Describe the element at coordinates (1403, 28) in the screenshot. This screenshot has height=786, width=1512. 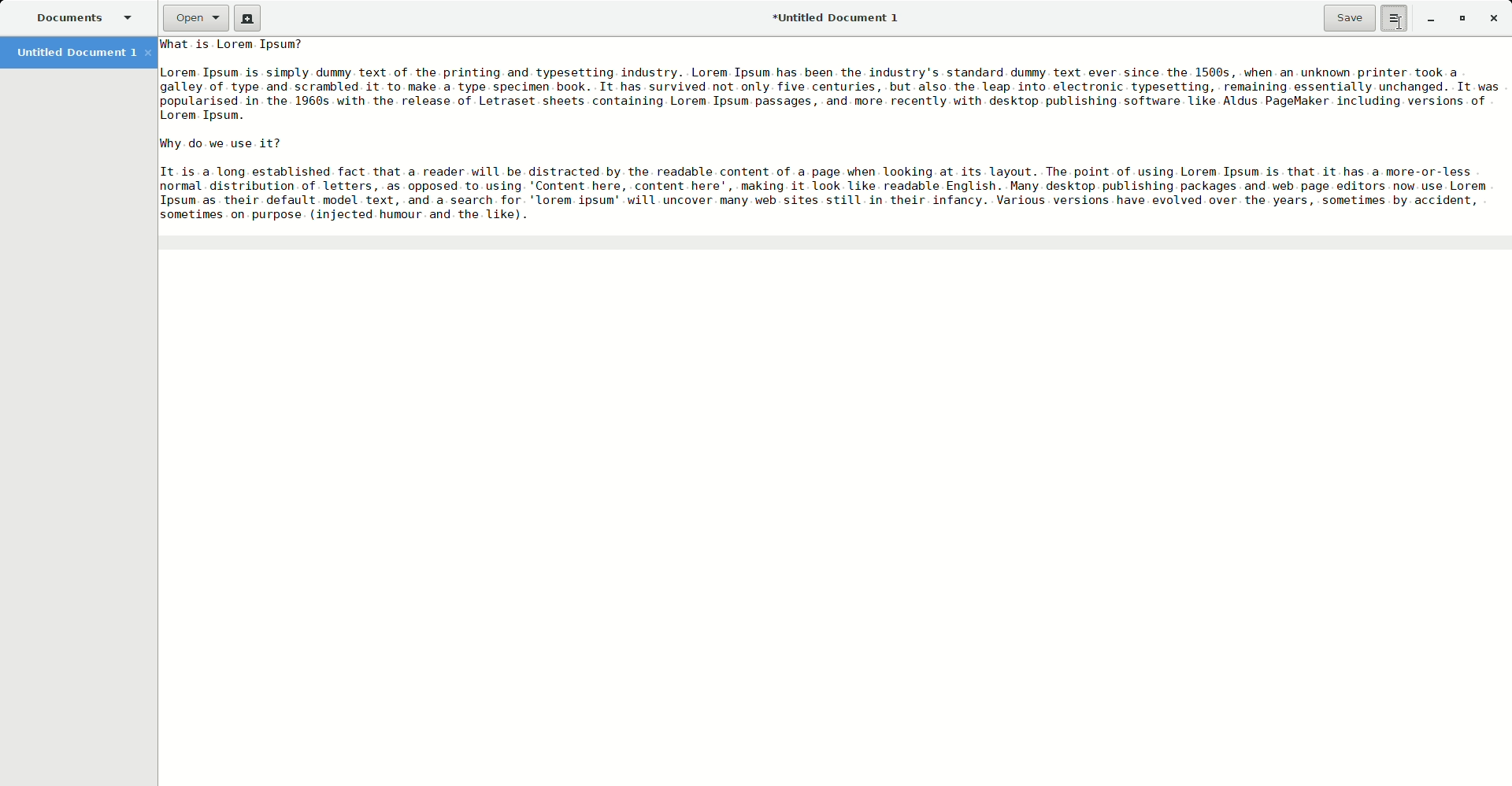
I see `cursor` at that location.